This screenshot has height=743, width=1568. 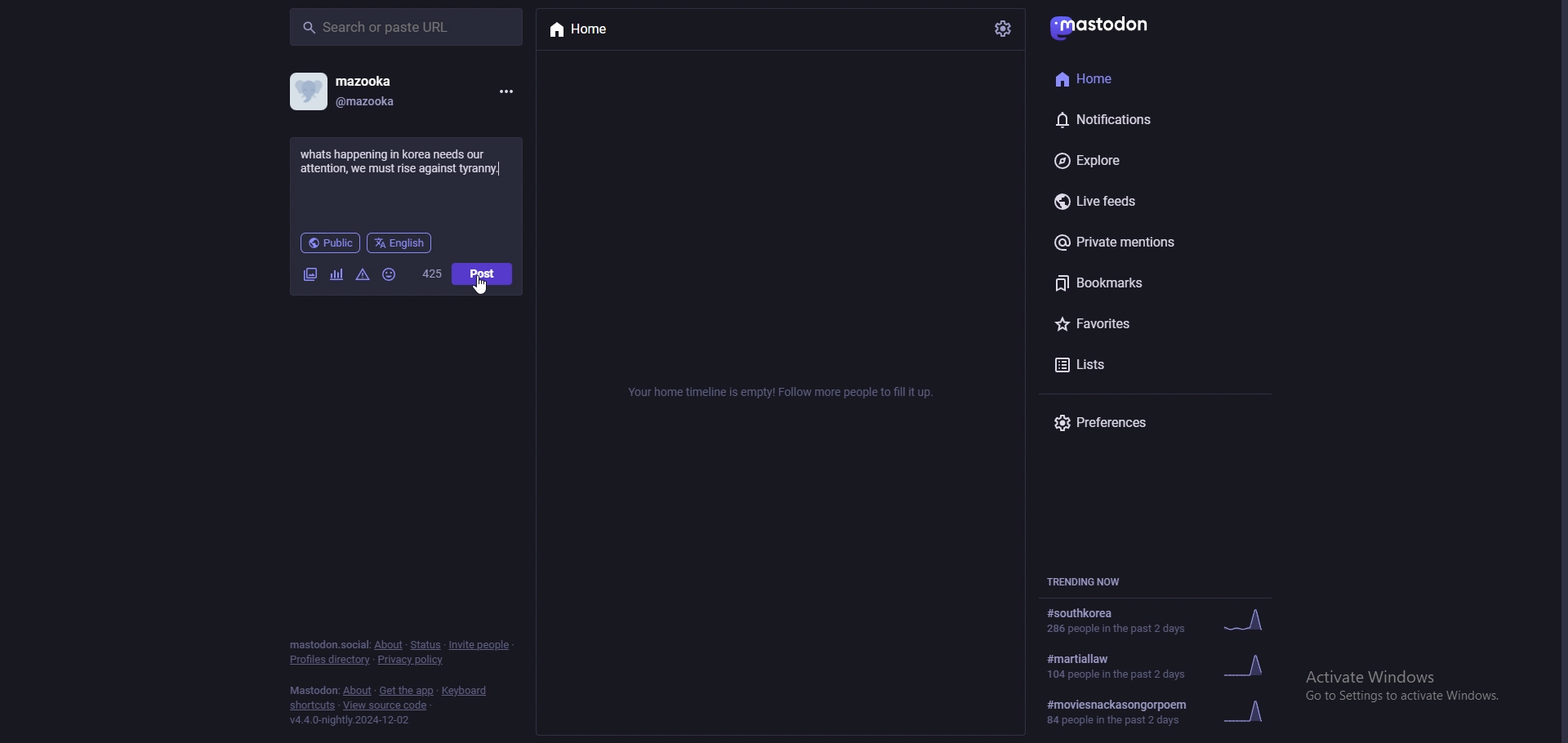 I want to click on mastodon, so click(x=1104, y=26).